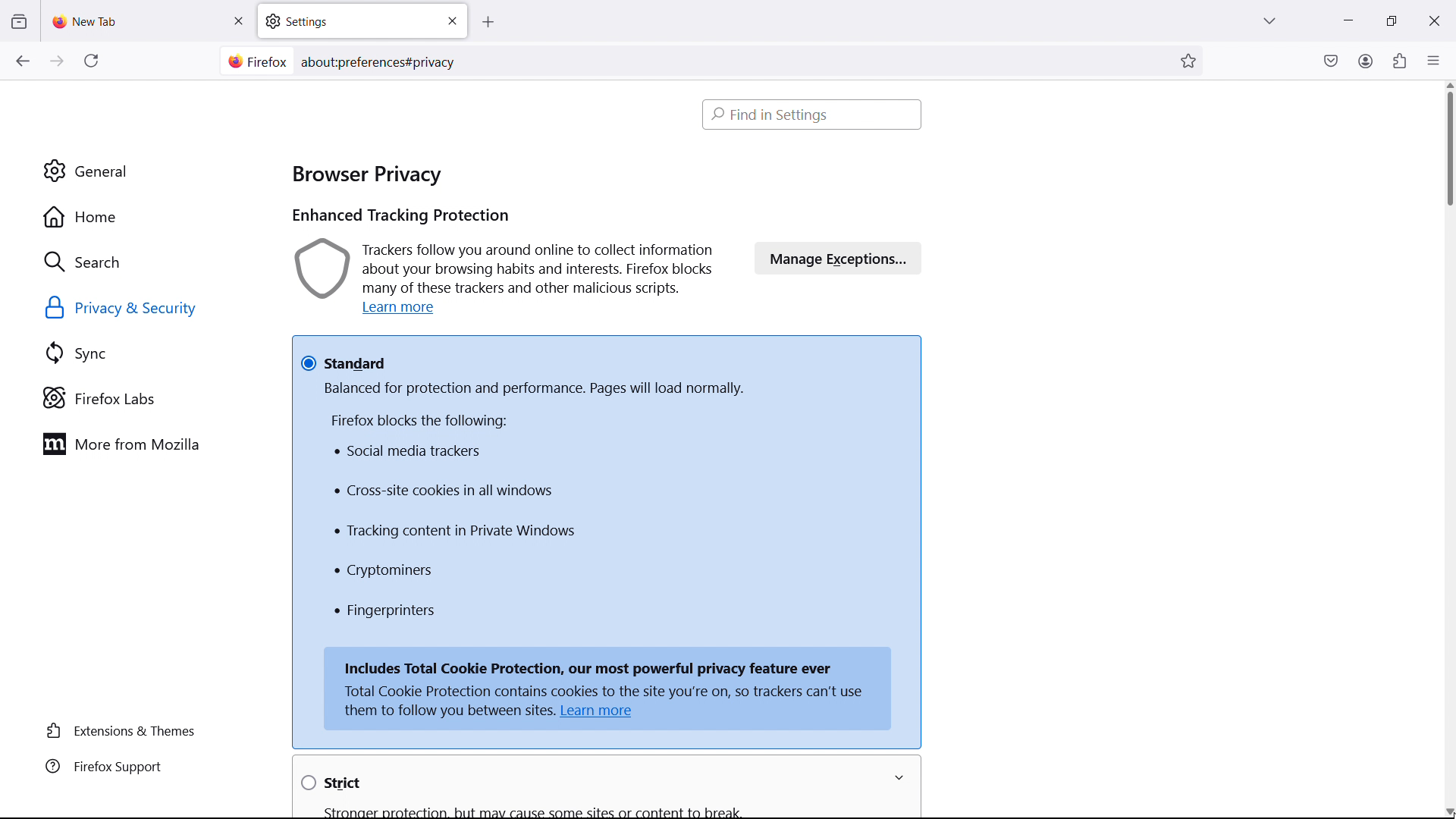  I want to click on firefox labs, so click(149, 398).